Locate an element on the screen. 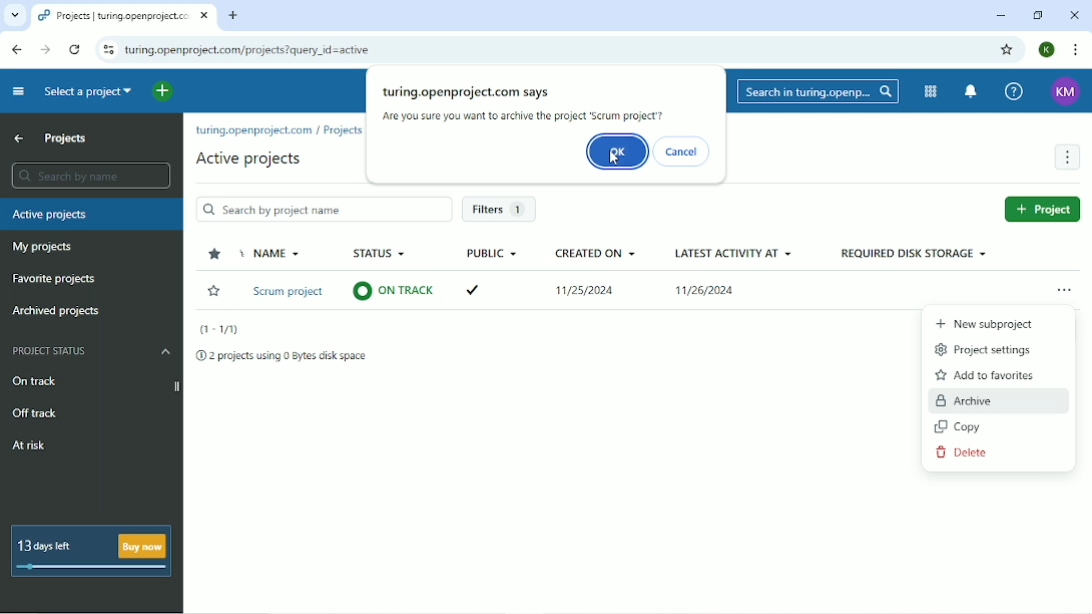  Public is located at coordinates (492, 253).